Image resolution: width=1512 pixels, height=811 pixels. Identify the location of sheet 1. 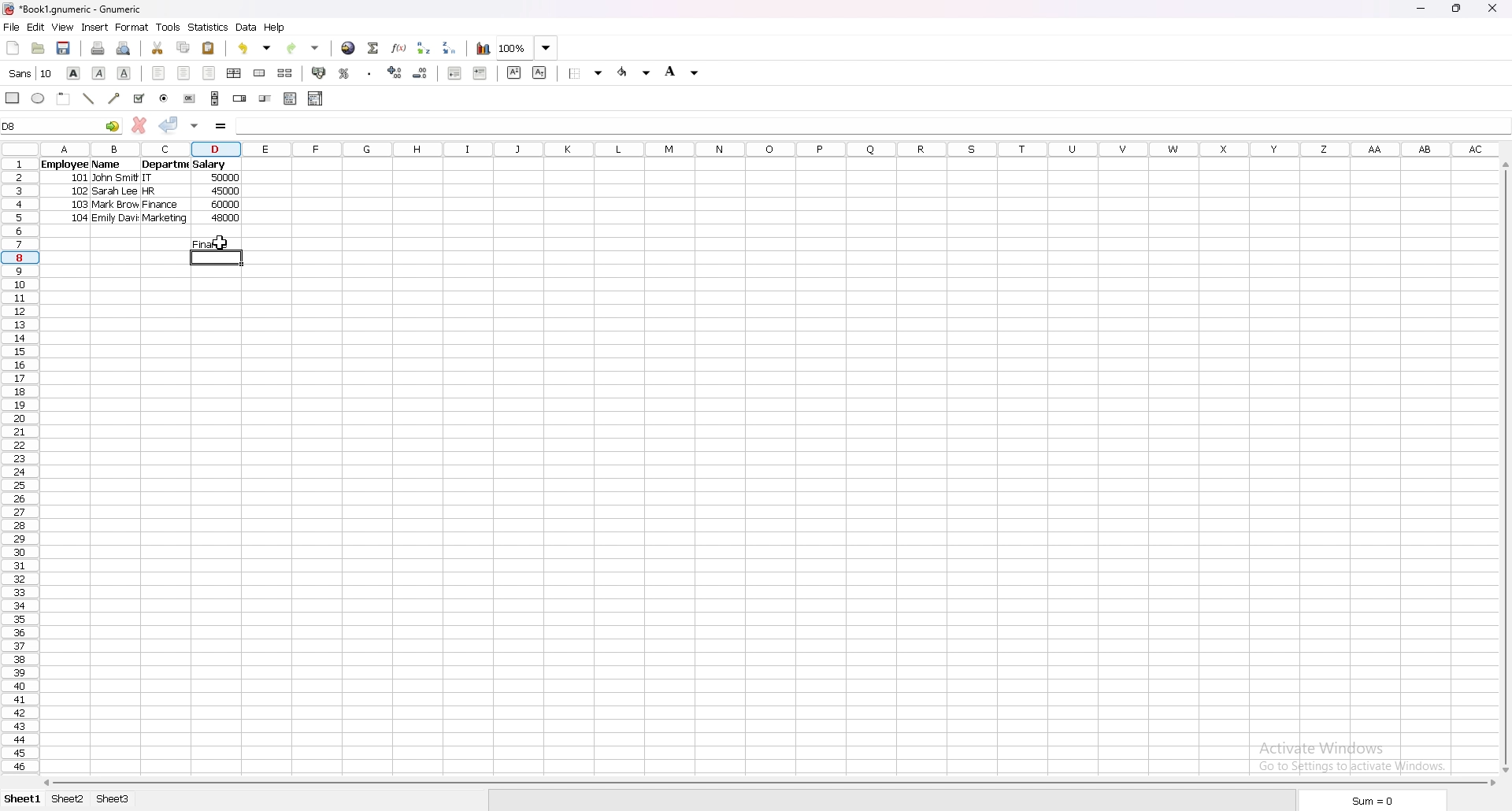
(20, 800).